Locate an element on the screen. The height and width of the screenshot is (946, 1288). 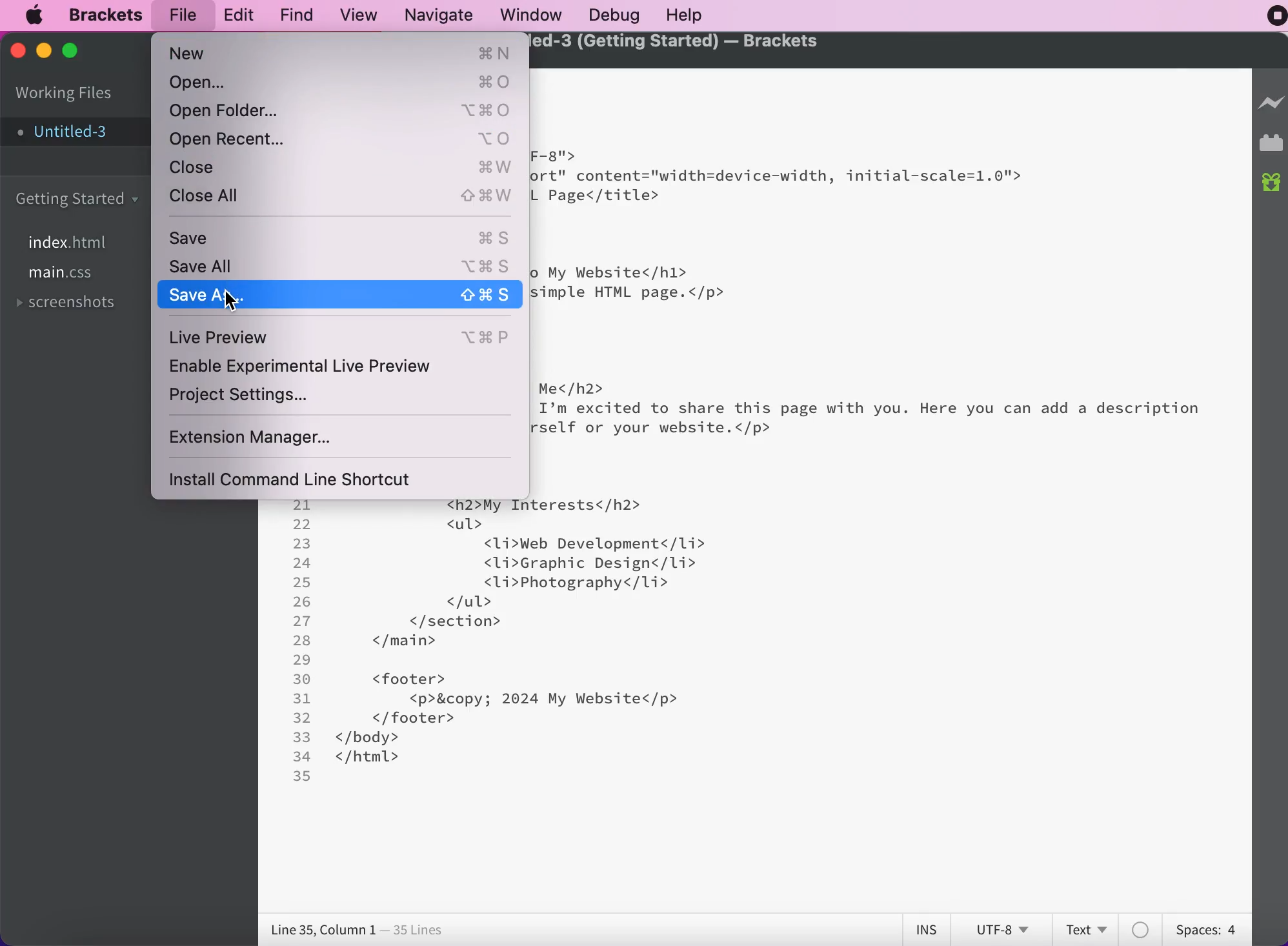
save is located at coordinates (343, 238).